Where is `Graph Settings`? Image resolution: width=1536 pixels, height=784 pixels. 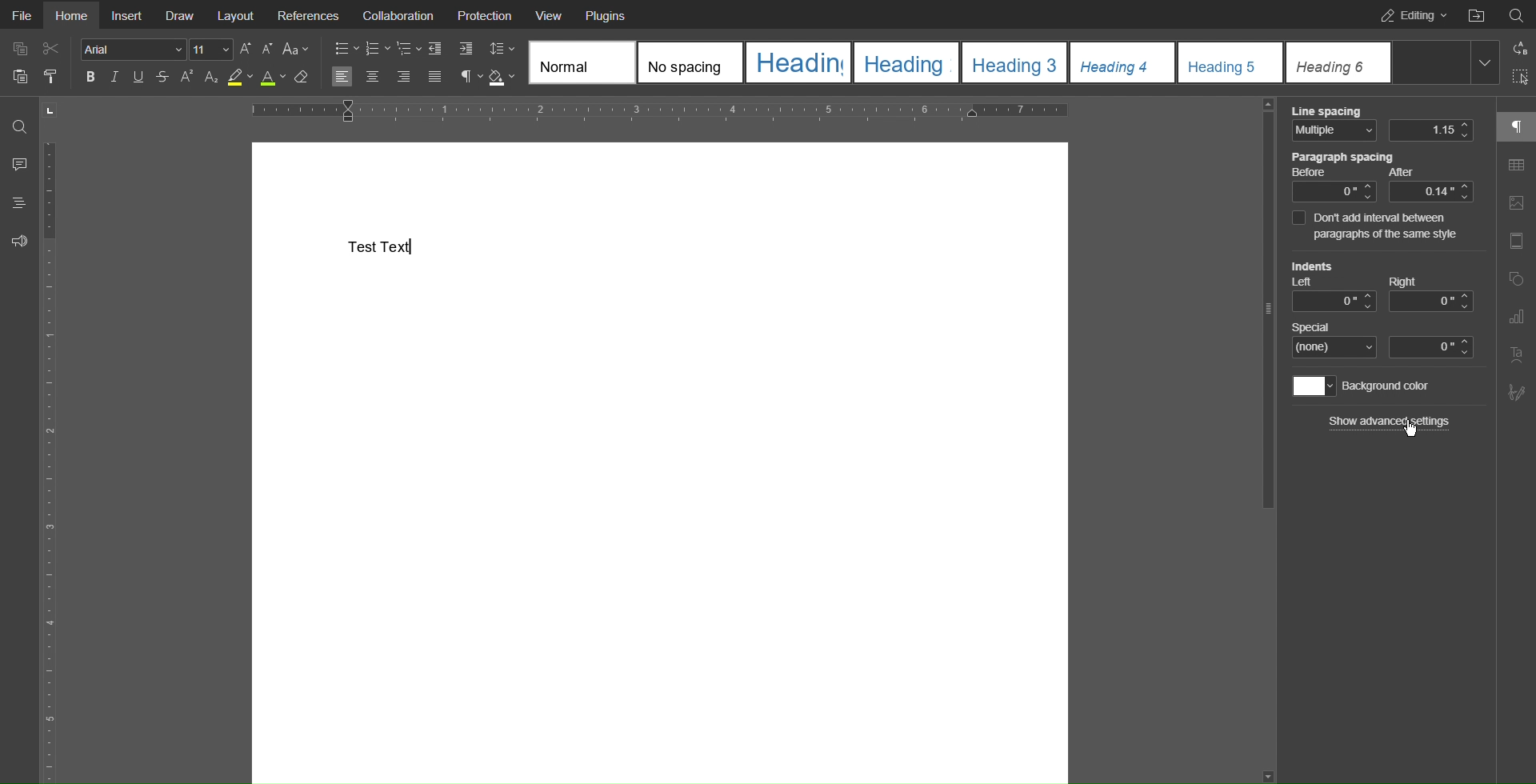
Graph Settings is located at coordinates (1516, 317).